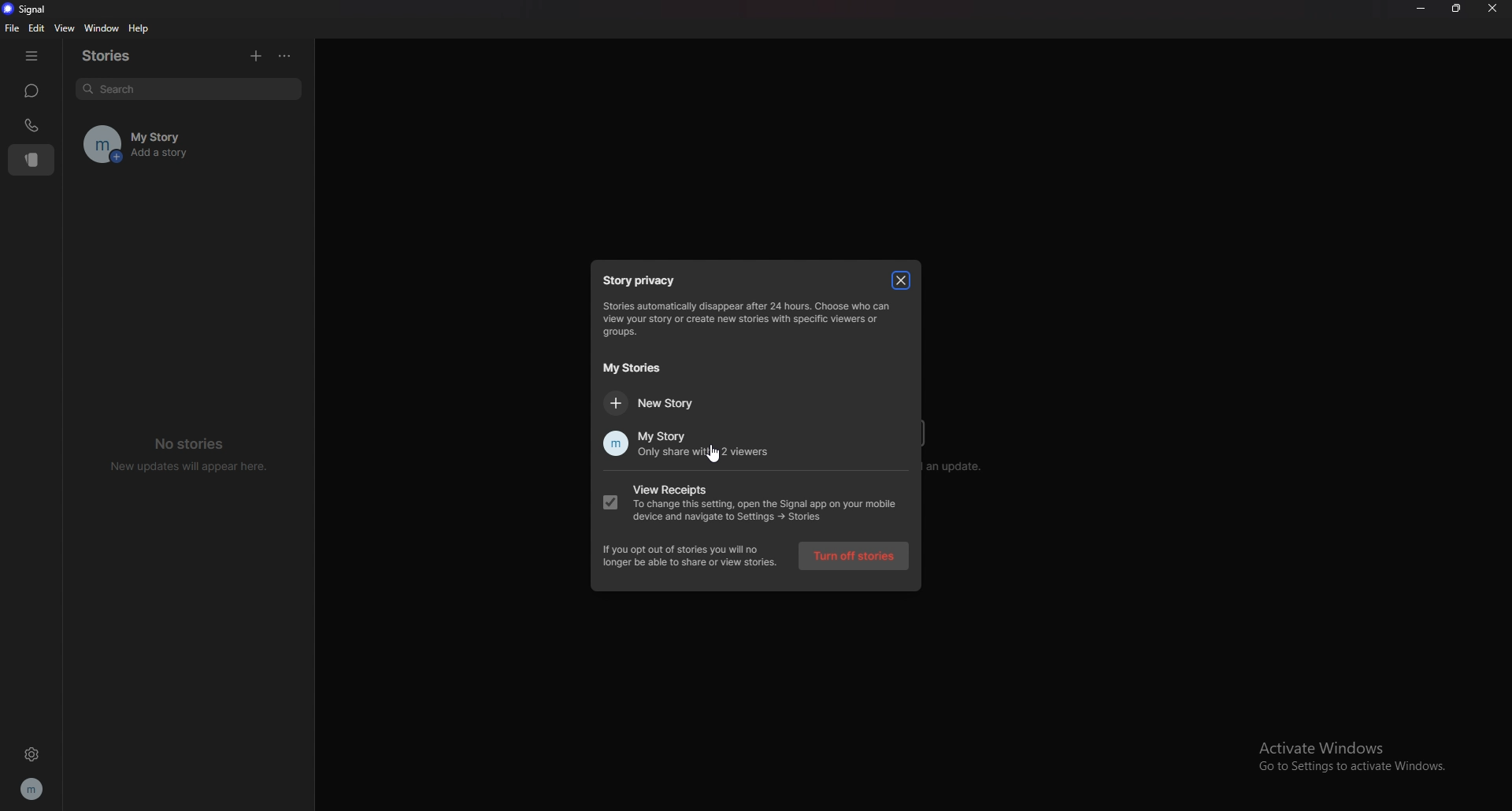 This screenshot has width=1512, height=811. I want to click on add story, so click(256, 56).